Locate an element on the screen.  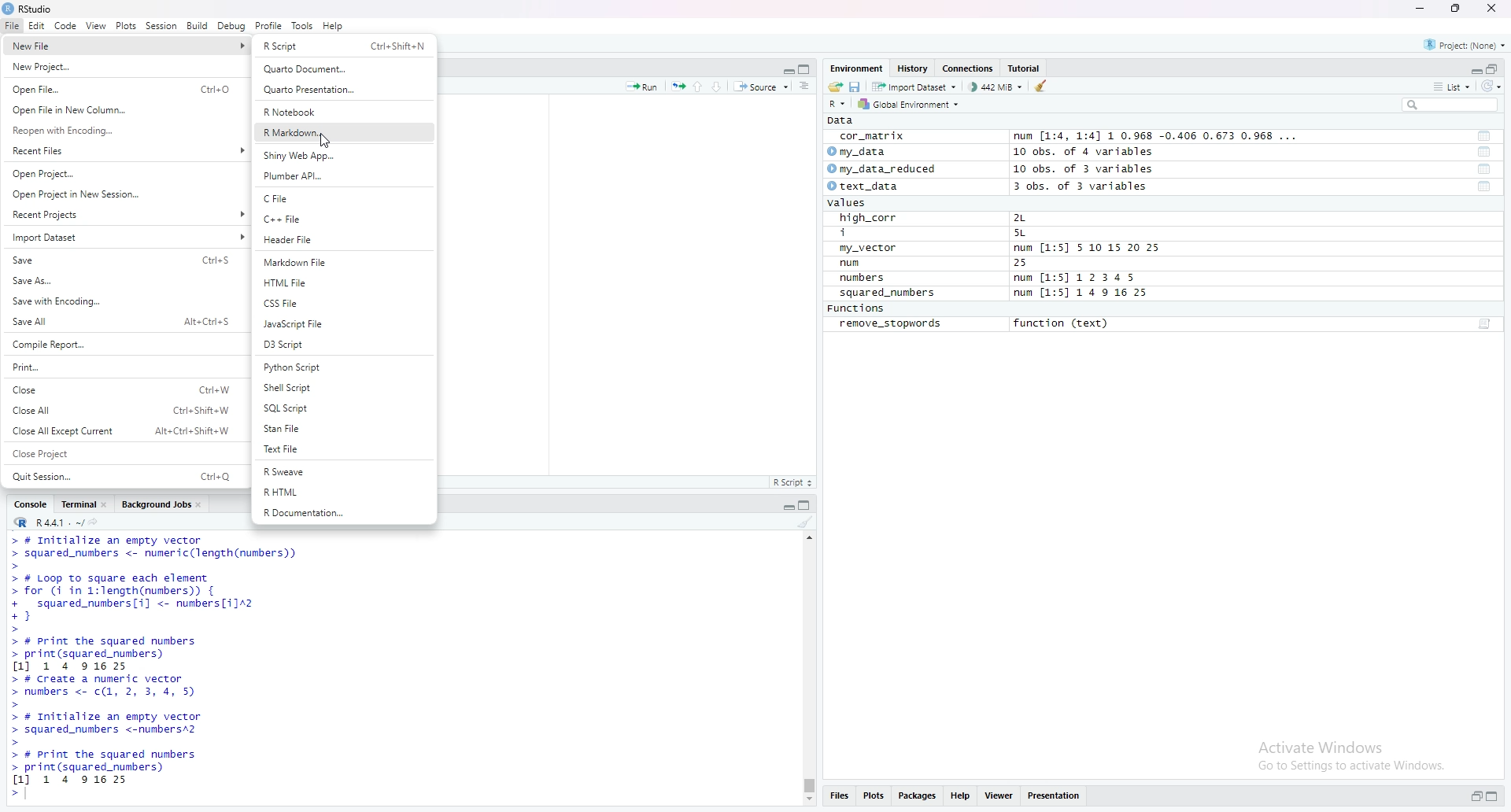
Plumber API... is located at coordinates (342, 175).